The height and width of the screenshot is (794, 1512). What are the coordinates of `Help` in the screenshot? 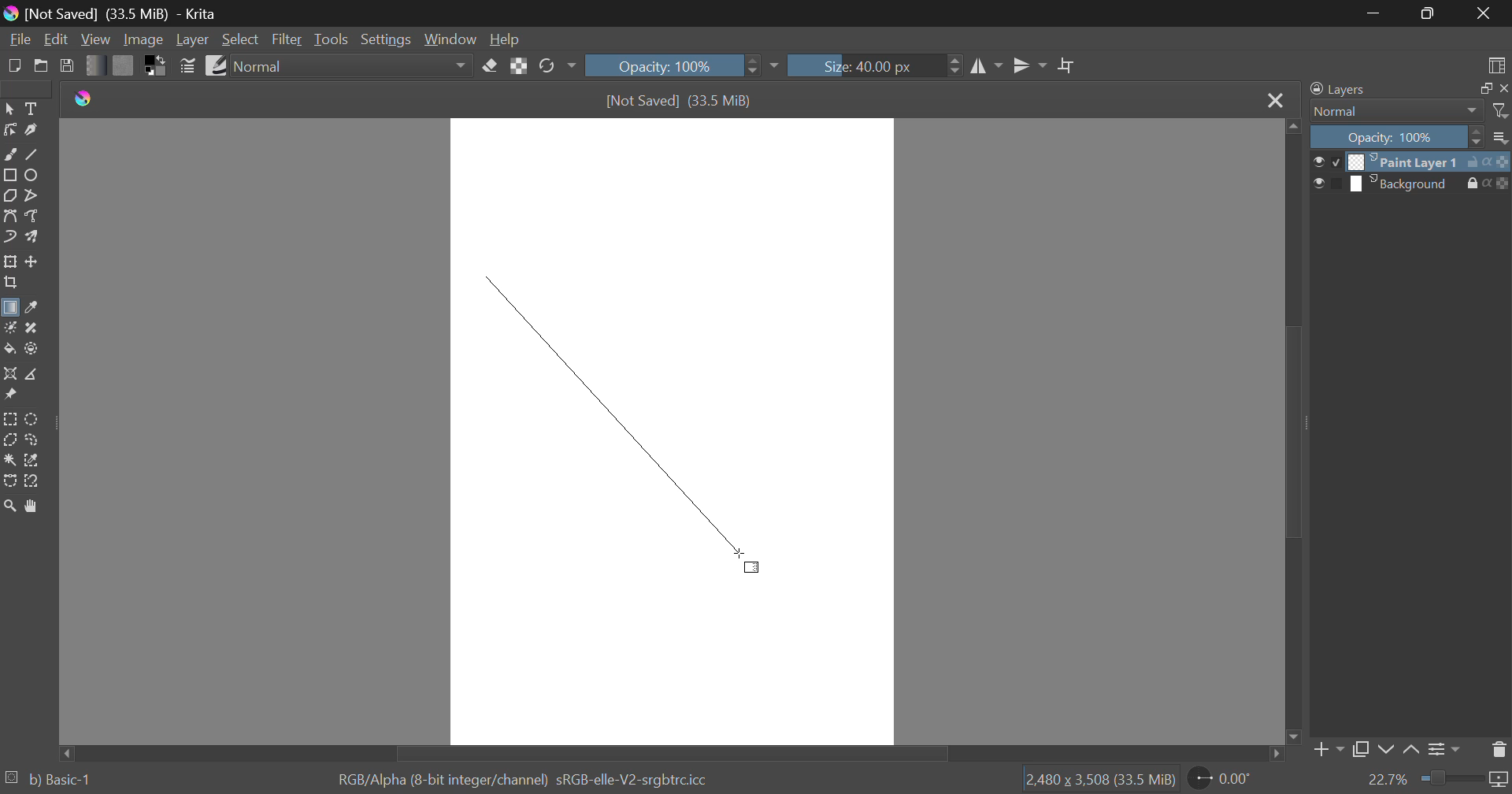 It's located at (505, 39).